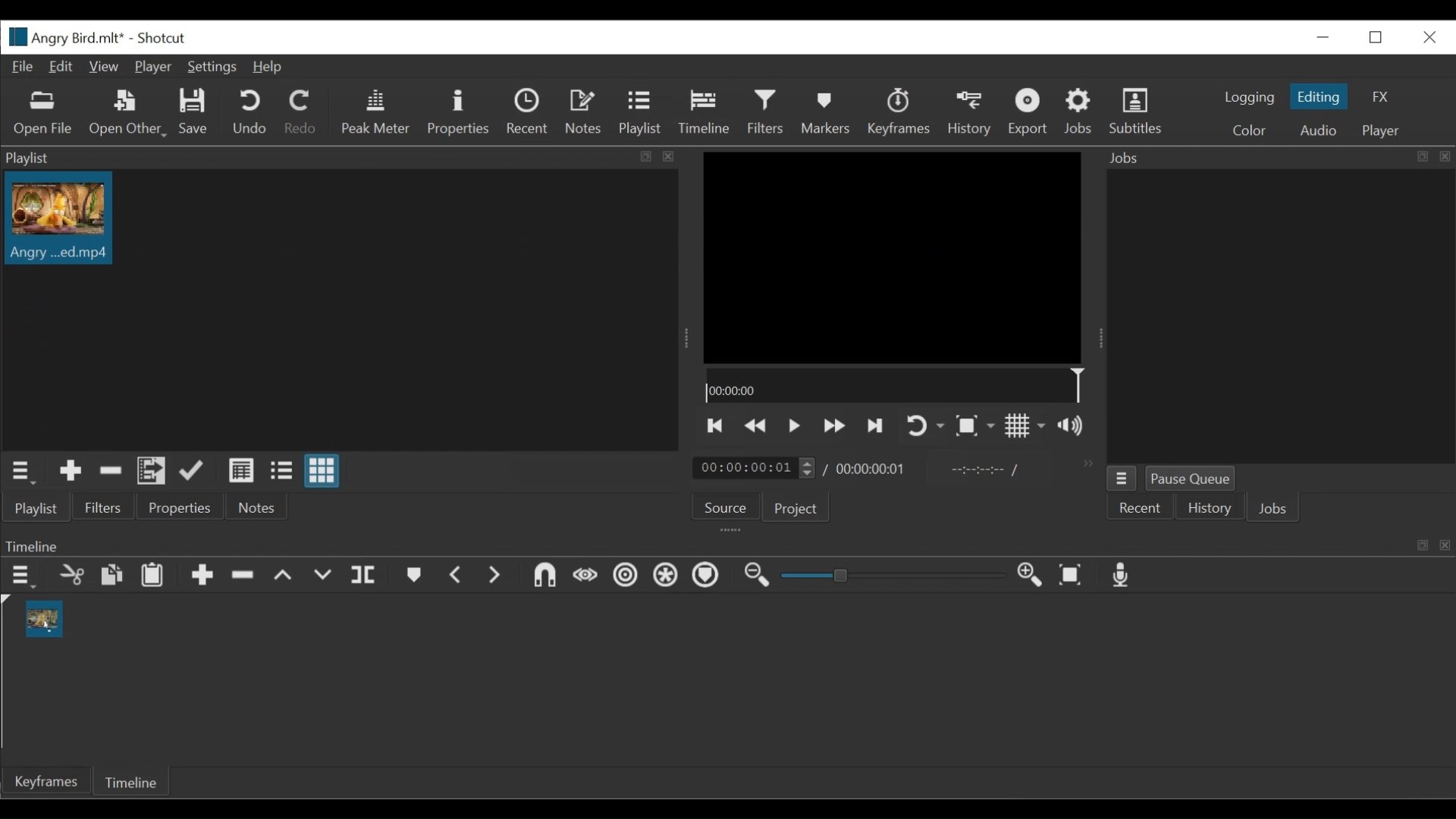 The height and width of the screenshot is (819, 1456). I want to click on Jobs Panel, so click(1279, 316).